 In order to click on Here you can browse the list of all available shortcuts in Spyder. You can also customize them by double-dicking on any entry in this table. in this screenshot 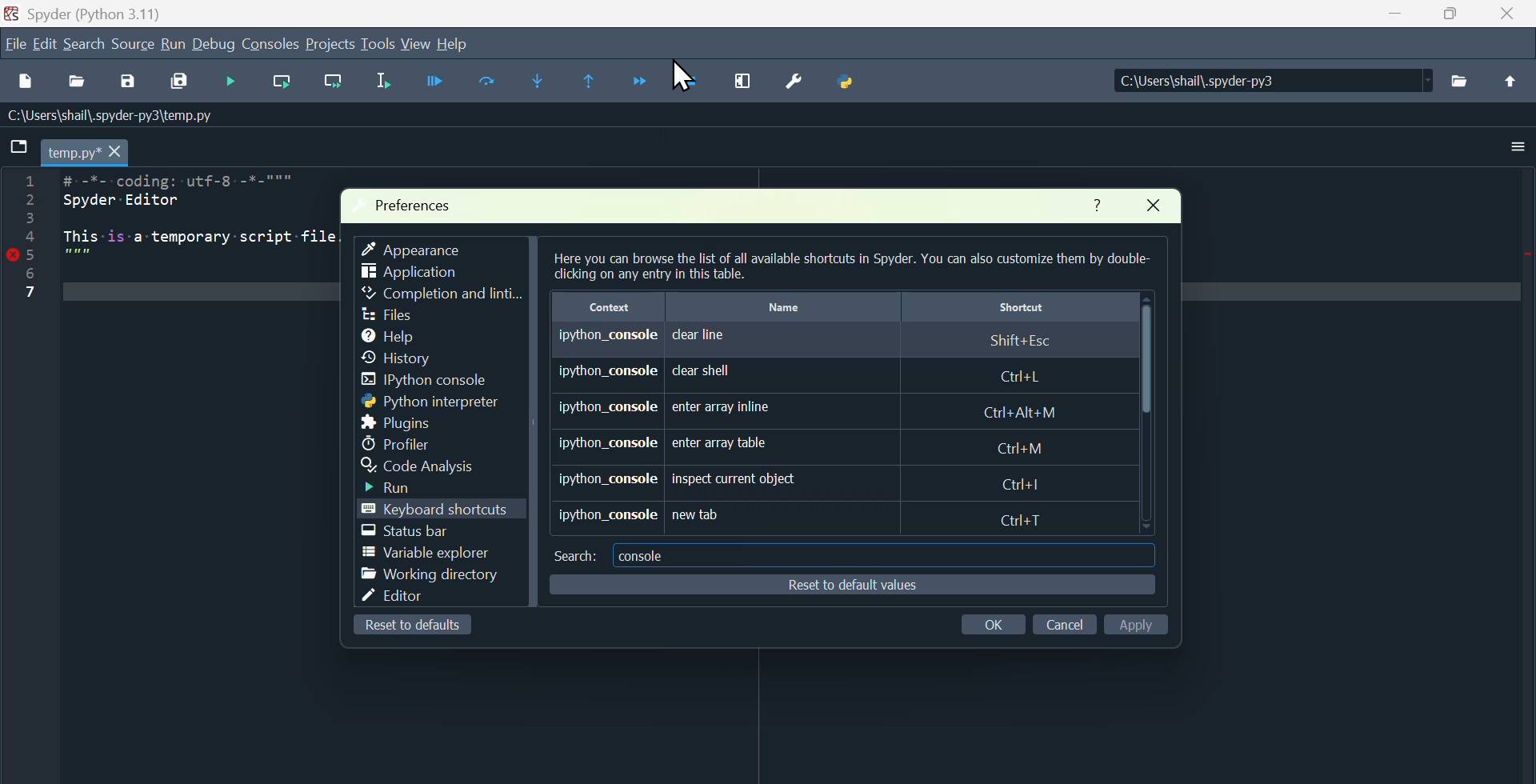, I will do `click(848, 267)`.